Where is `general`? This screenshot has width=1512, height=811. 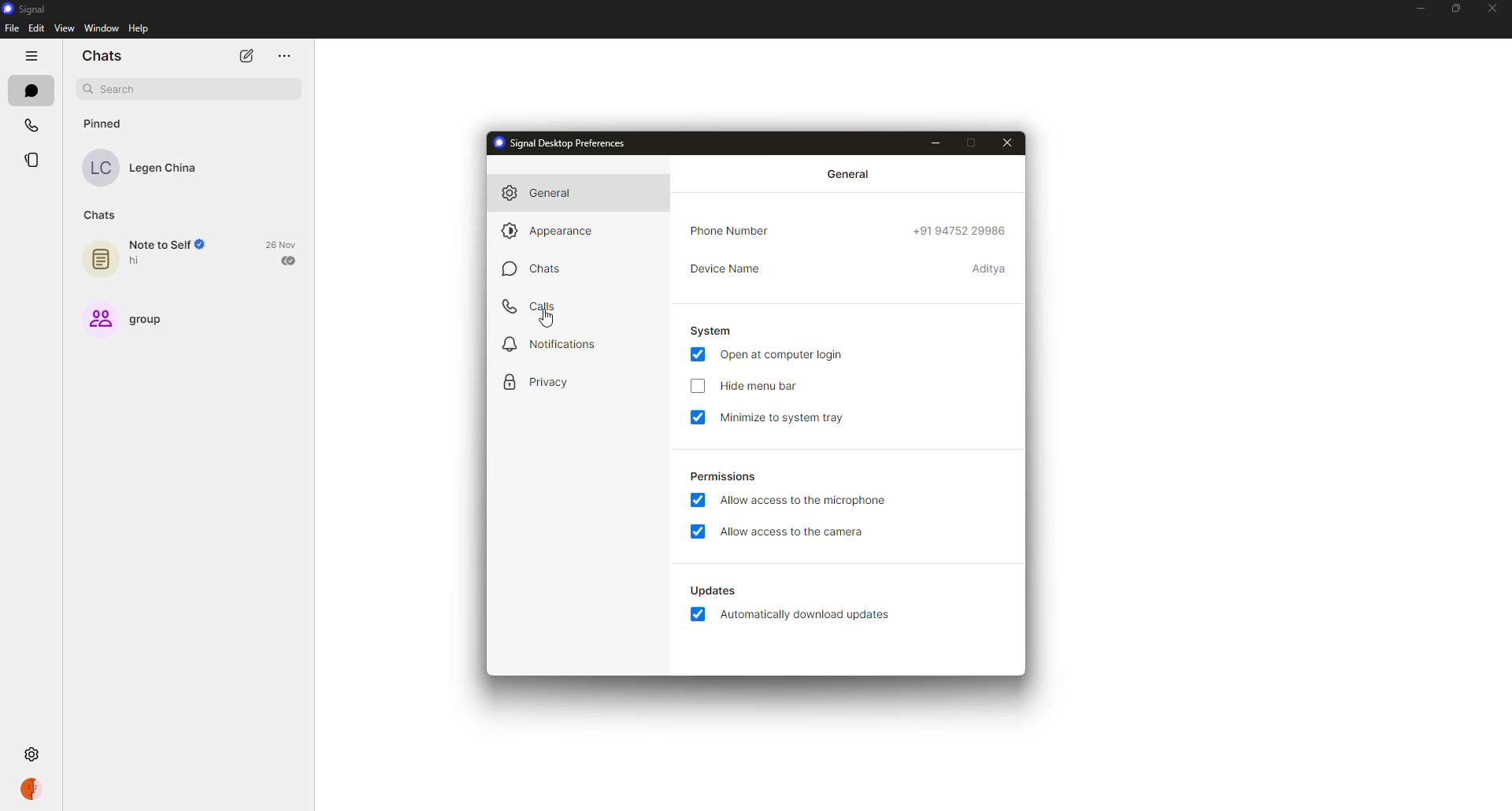 general is located at coordinates (848, 174).